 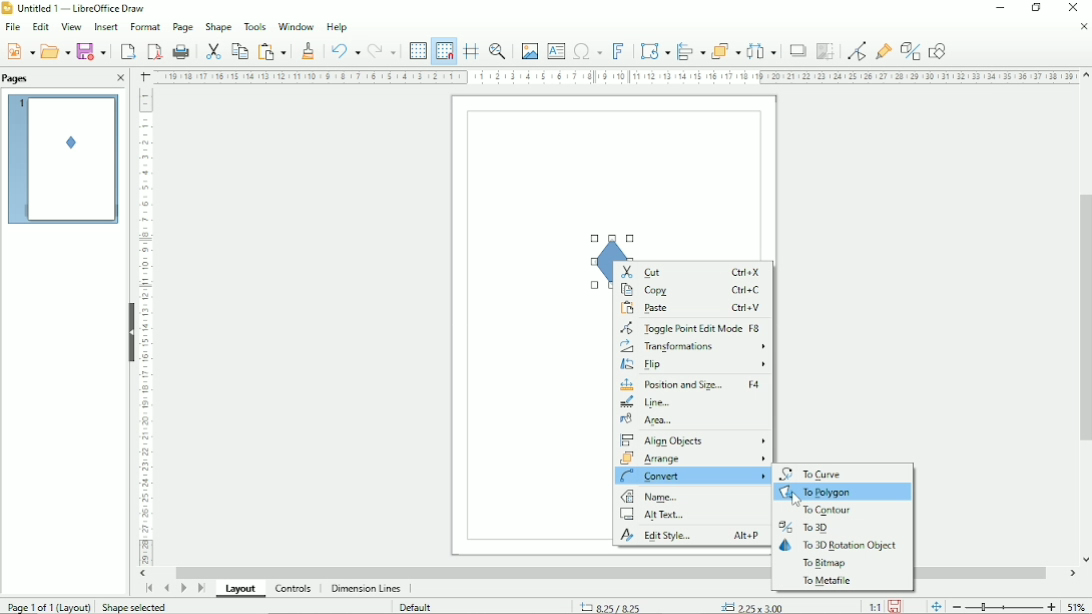 What do you see at coordinates (254, 26) in the screenshot?
I see `Tools` at bounding box center [254, 26].